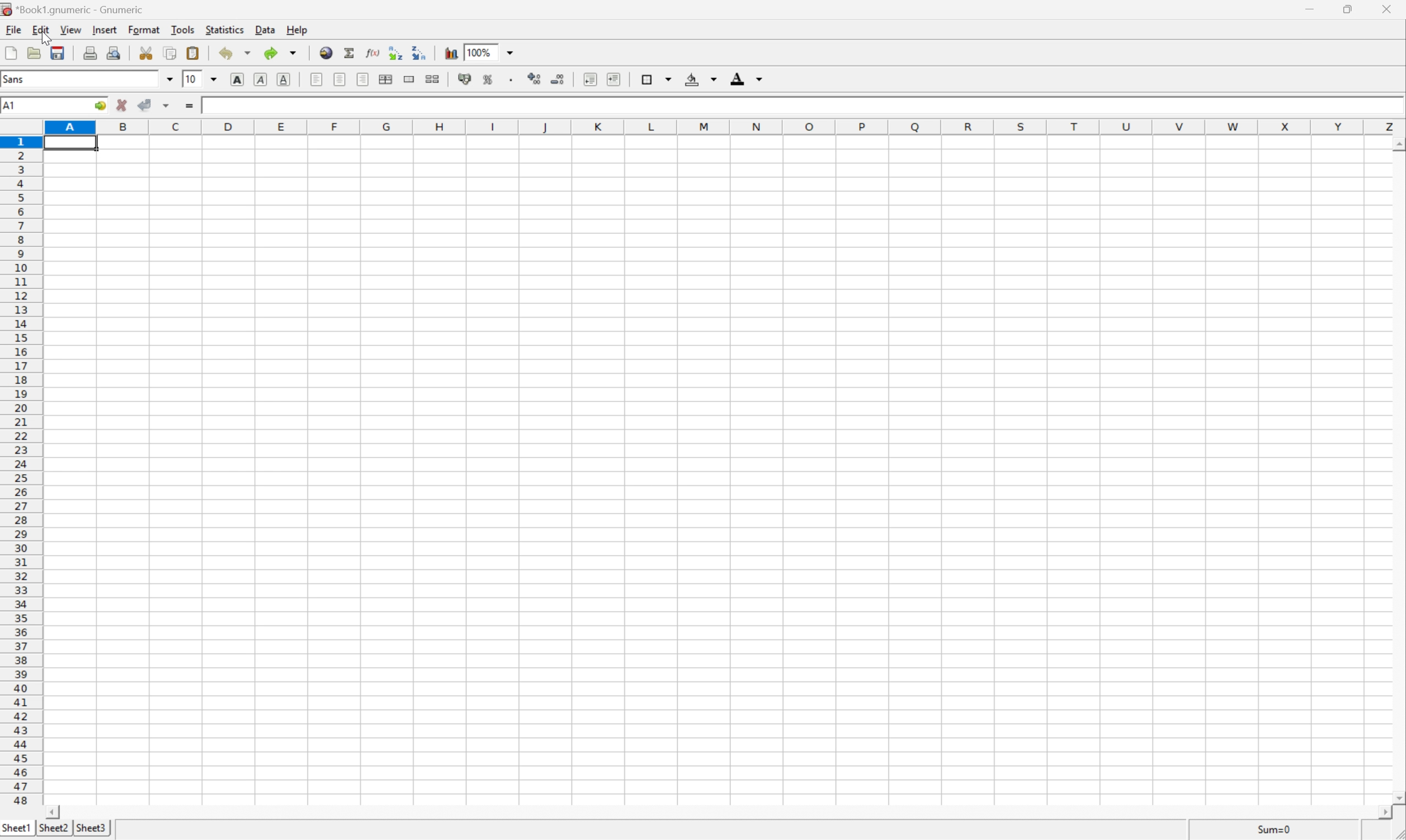 The width and height of the screenshot is (1406, 840). I want to click on Font size 10, so click(202, 80).